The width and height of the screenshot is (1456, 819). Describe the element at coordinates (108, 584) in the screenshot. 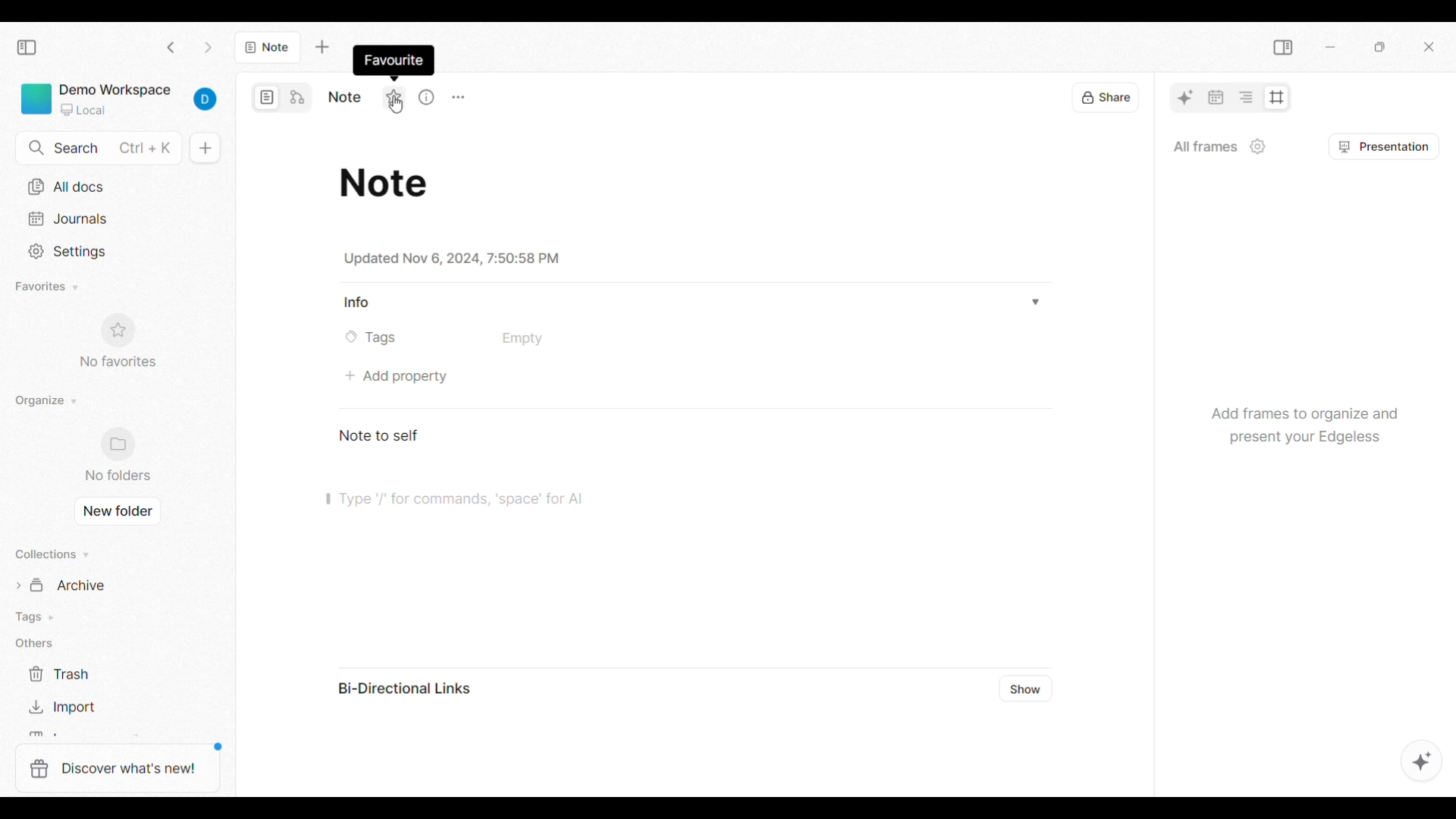

I see `Expand archive folder` at that location.